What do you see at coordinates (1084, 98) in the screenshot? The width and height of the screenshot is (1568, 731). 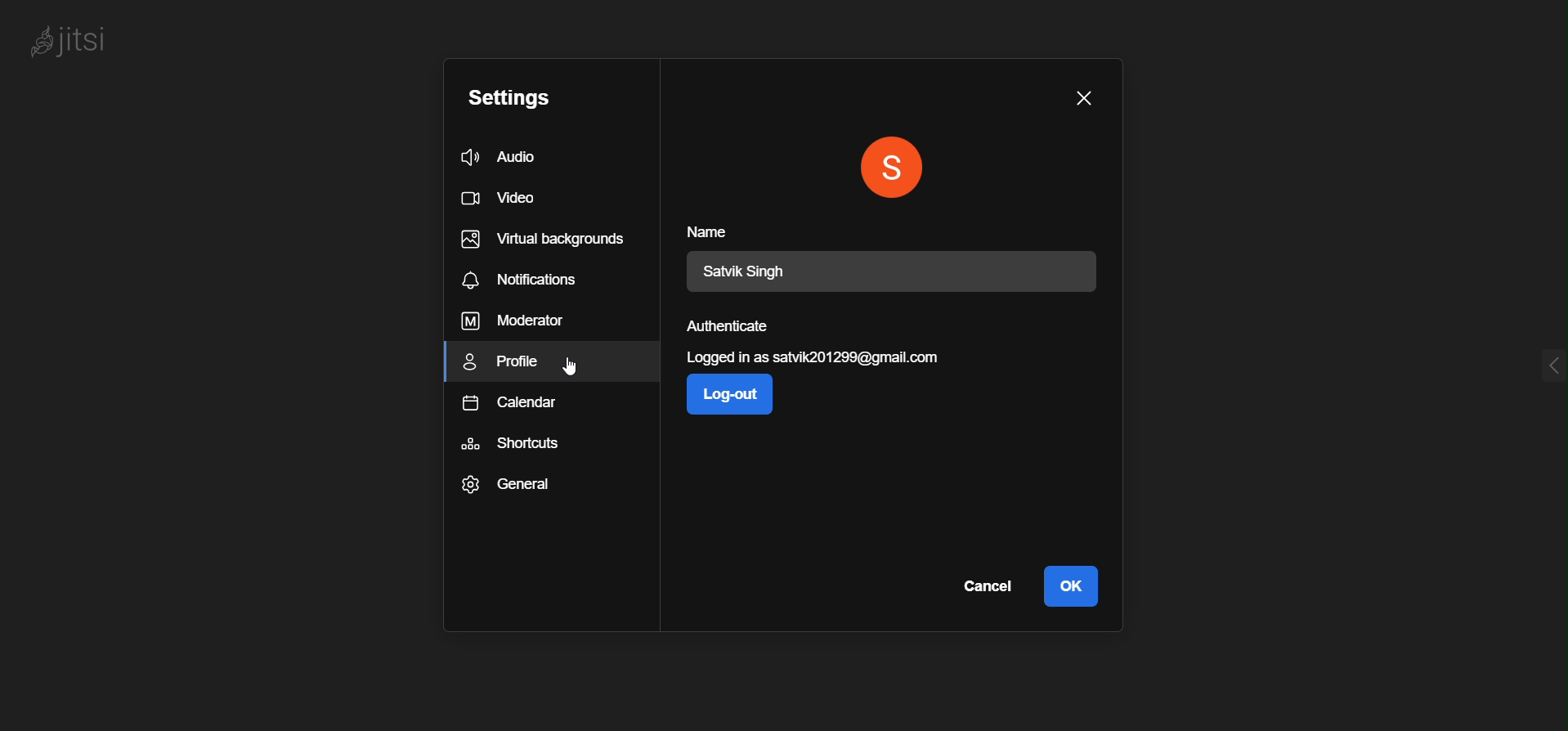 I see `close dialog` at bounding box center [1084, 98].